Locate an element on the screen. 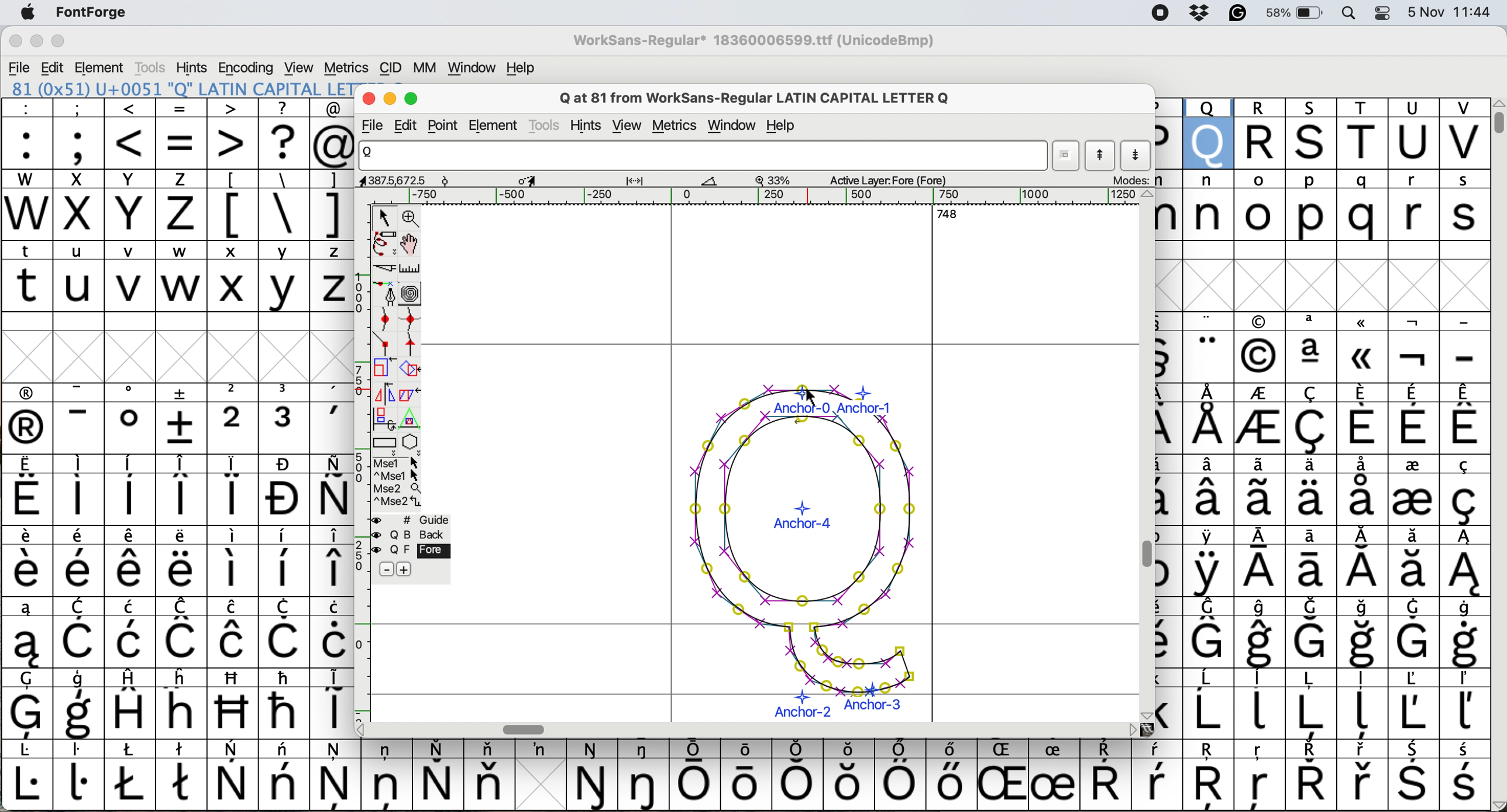 The width and height of the screenshot is (1507, 812). hints is located at coordinates (194, 66).